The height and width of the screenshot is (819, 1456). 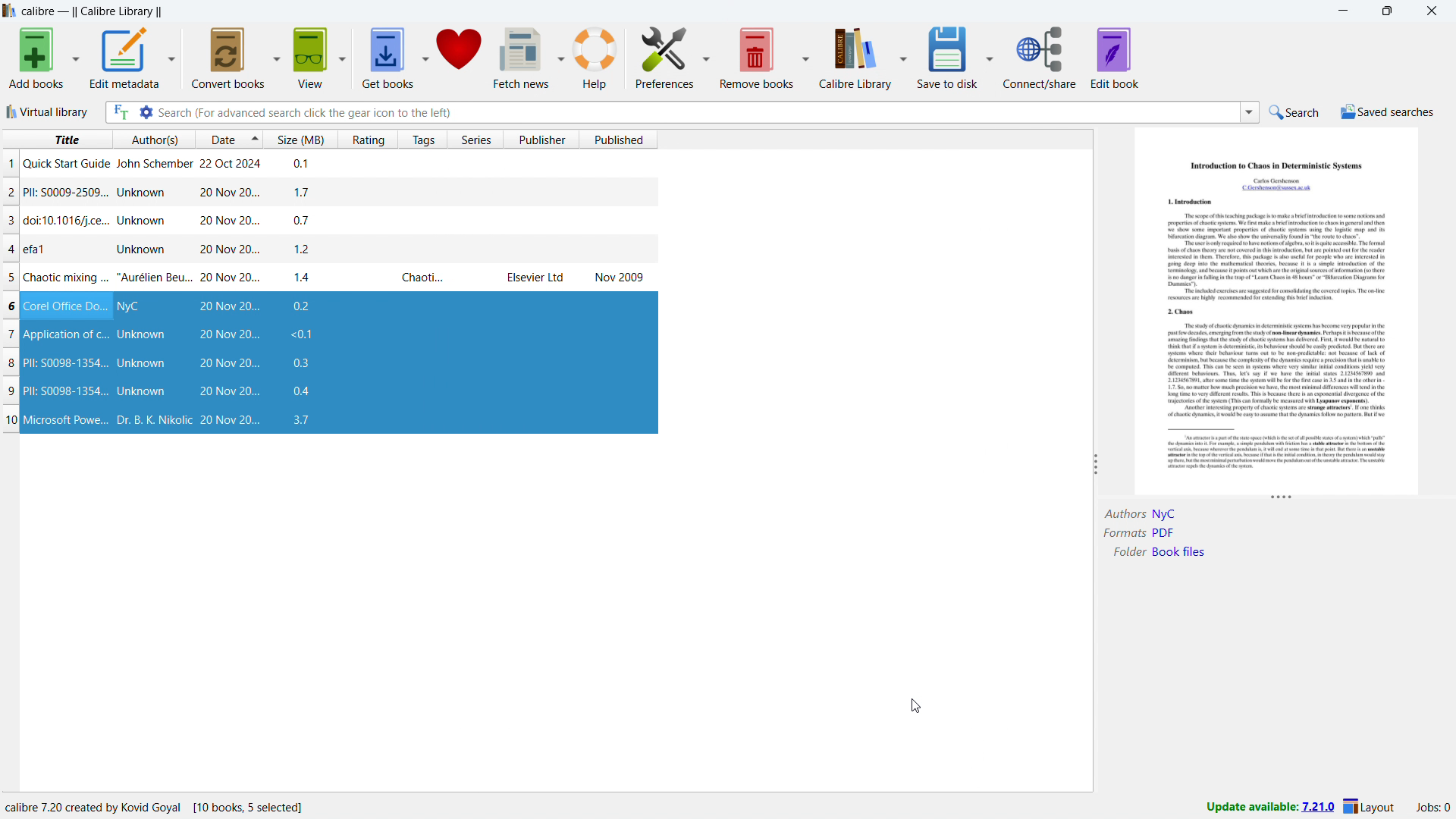 I want to click on update, so click(x=1269, y=808).